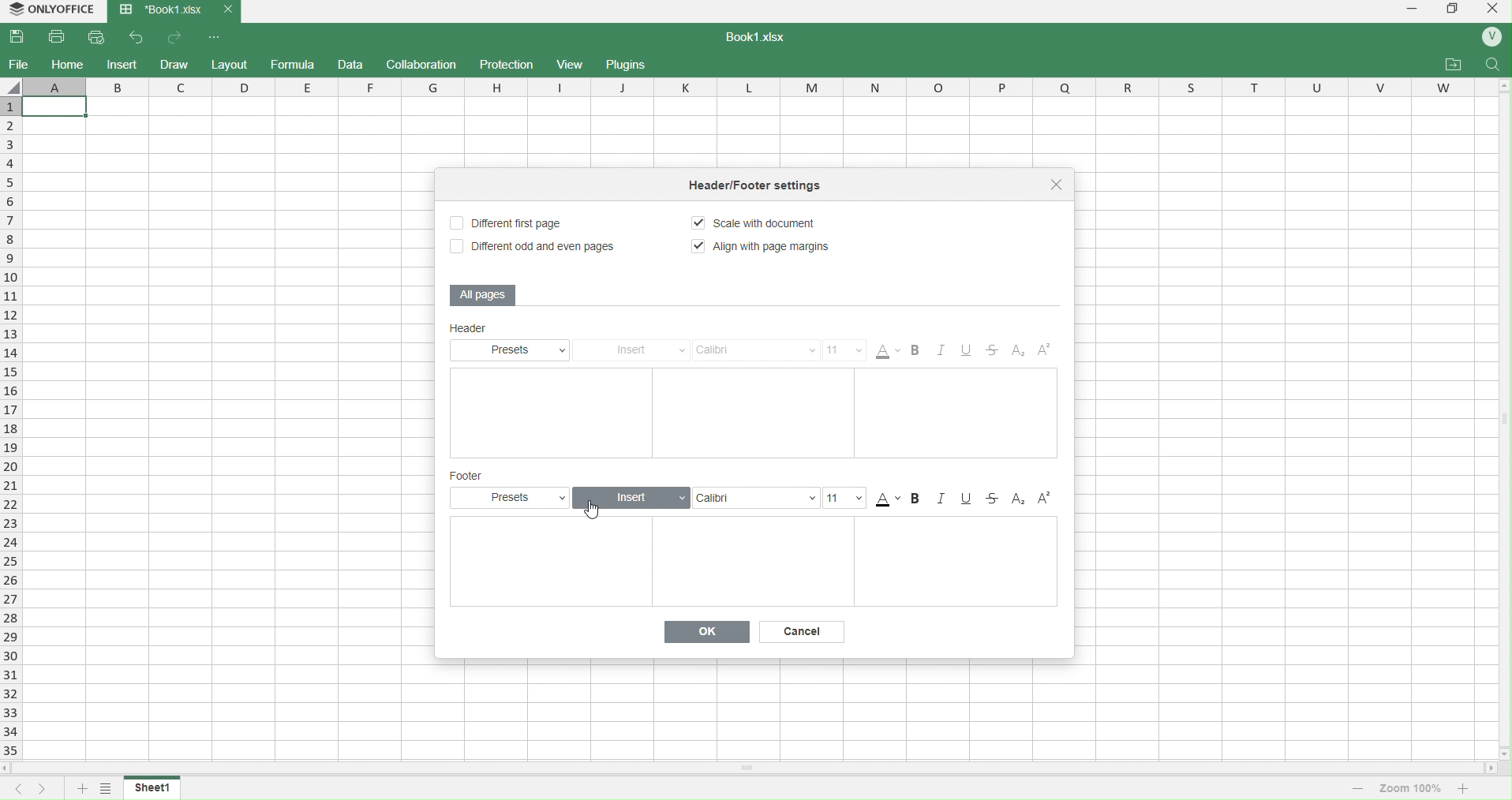 The image size is (1512, 800). I want to click on draw, so click(176, 63).